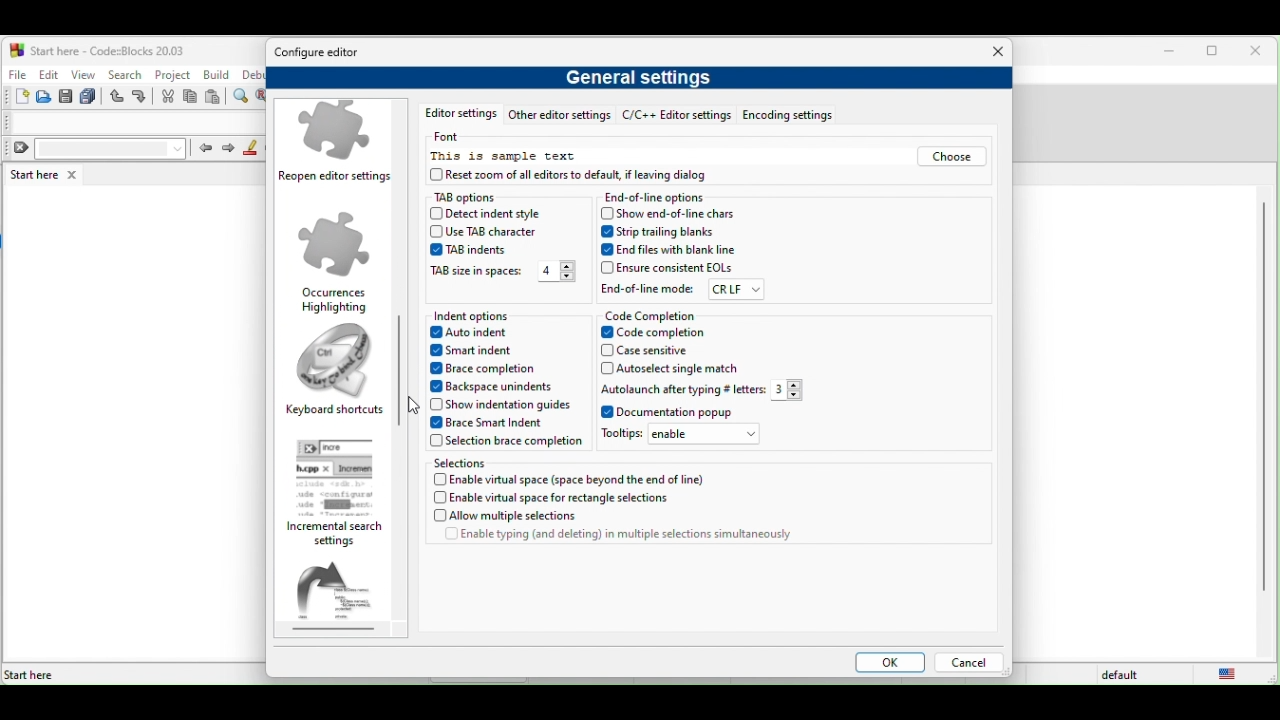 The image size is (1280, 720). Describe the element at coordinates (48, 74) in the screenshot. I see `edit` at that location.